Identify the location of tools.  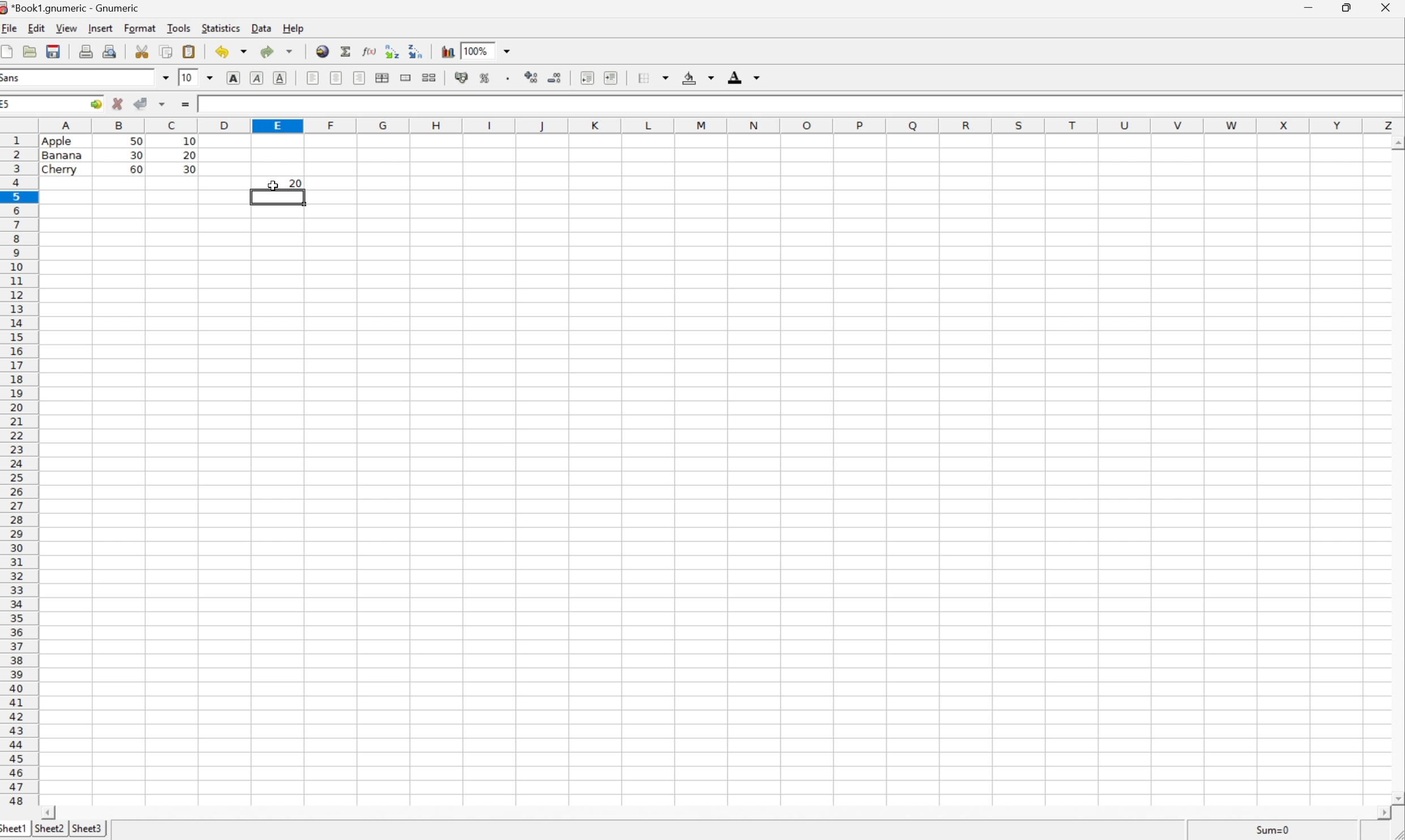
(178, 27).